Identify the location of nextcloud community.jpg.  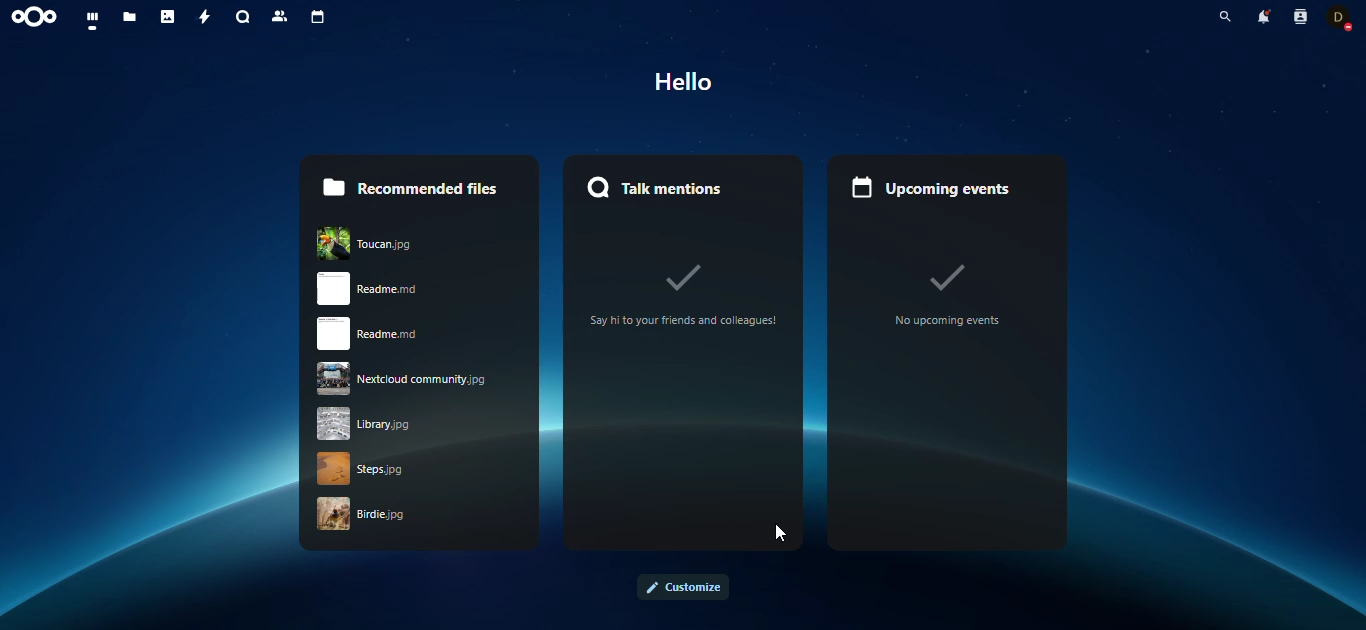
(404, 378).